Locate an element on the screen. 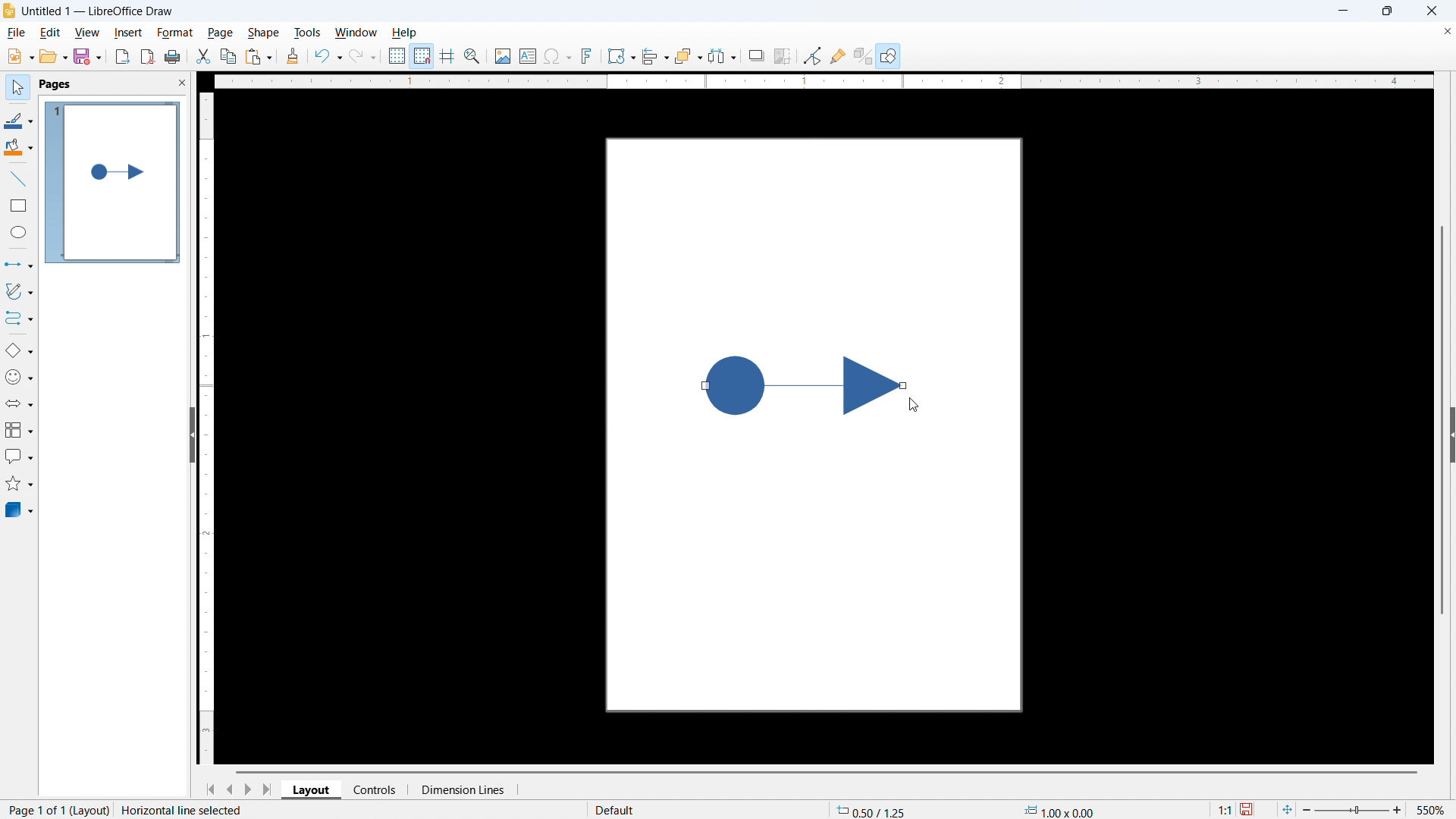  Redo  is located at coordinates (362, 57).